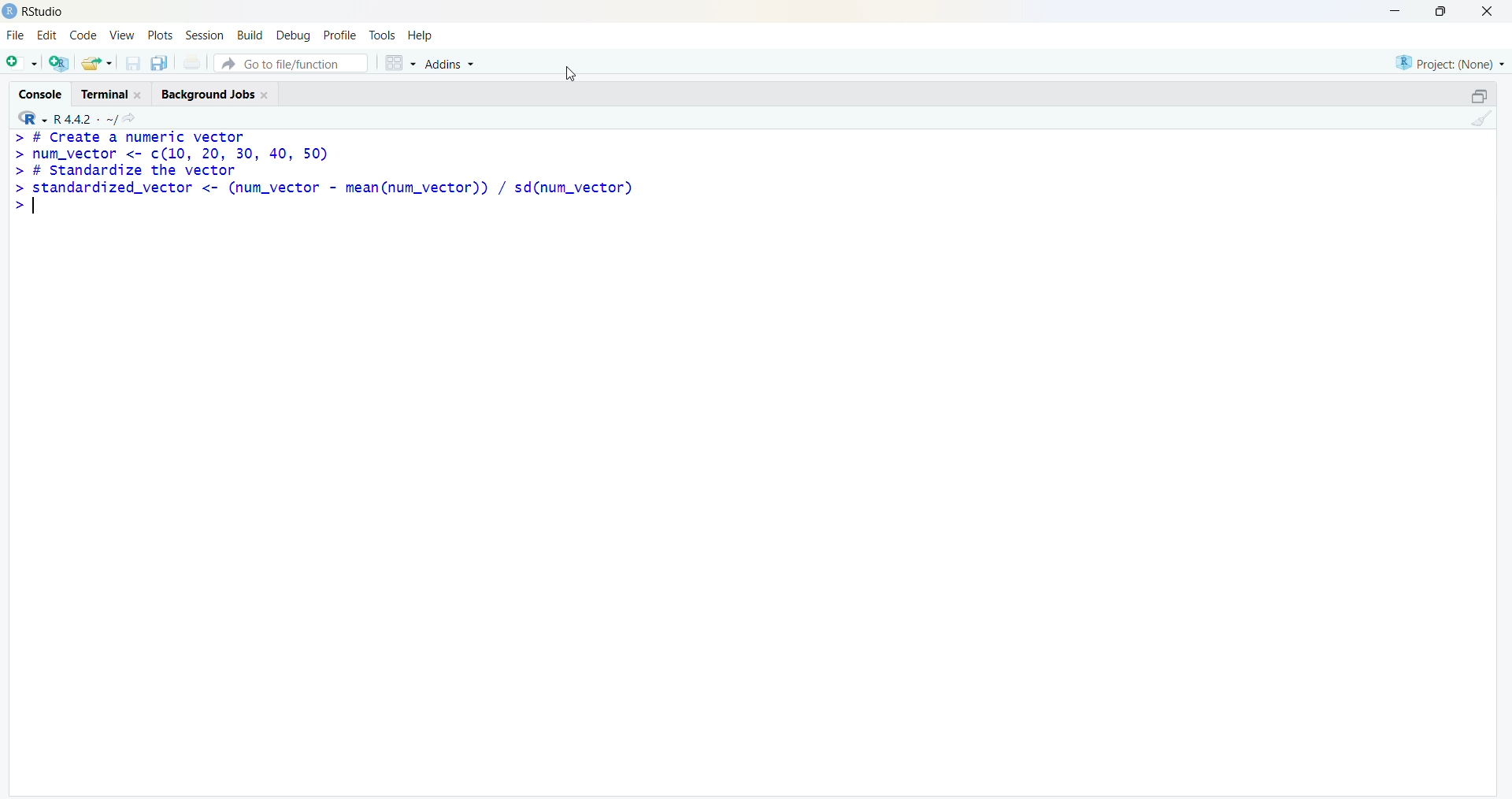  What do you see at coordinates (1488, 11) in the screenshot?
I see `close` at bounding box center [1488, 11].